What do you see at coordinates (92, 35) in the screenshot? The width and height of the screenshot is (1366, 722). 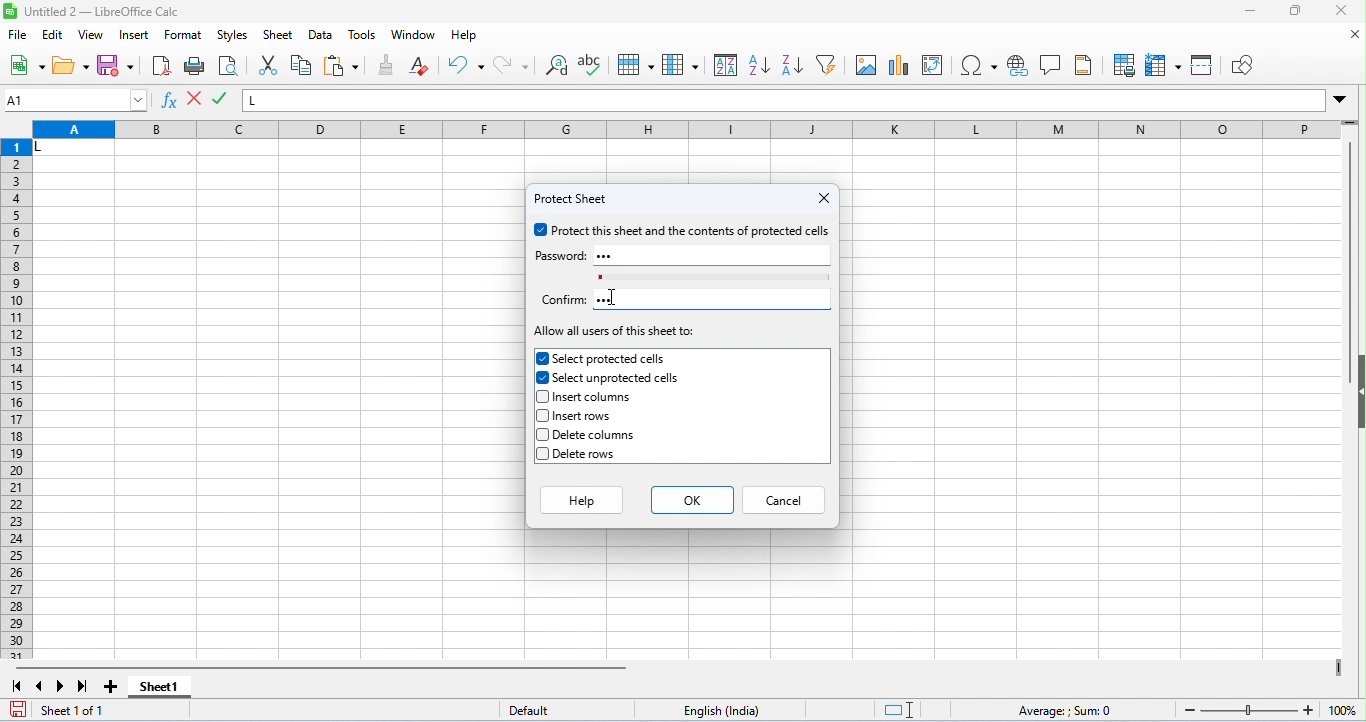 I see `view` at bounding box center [92, 35].